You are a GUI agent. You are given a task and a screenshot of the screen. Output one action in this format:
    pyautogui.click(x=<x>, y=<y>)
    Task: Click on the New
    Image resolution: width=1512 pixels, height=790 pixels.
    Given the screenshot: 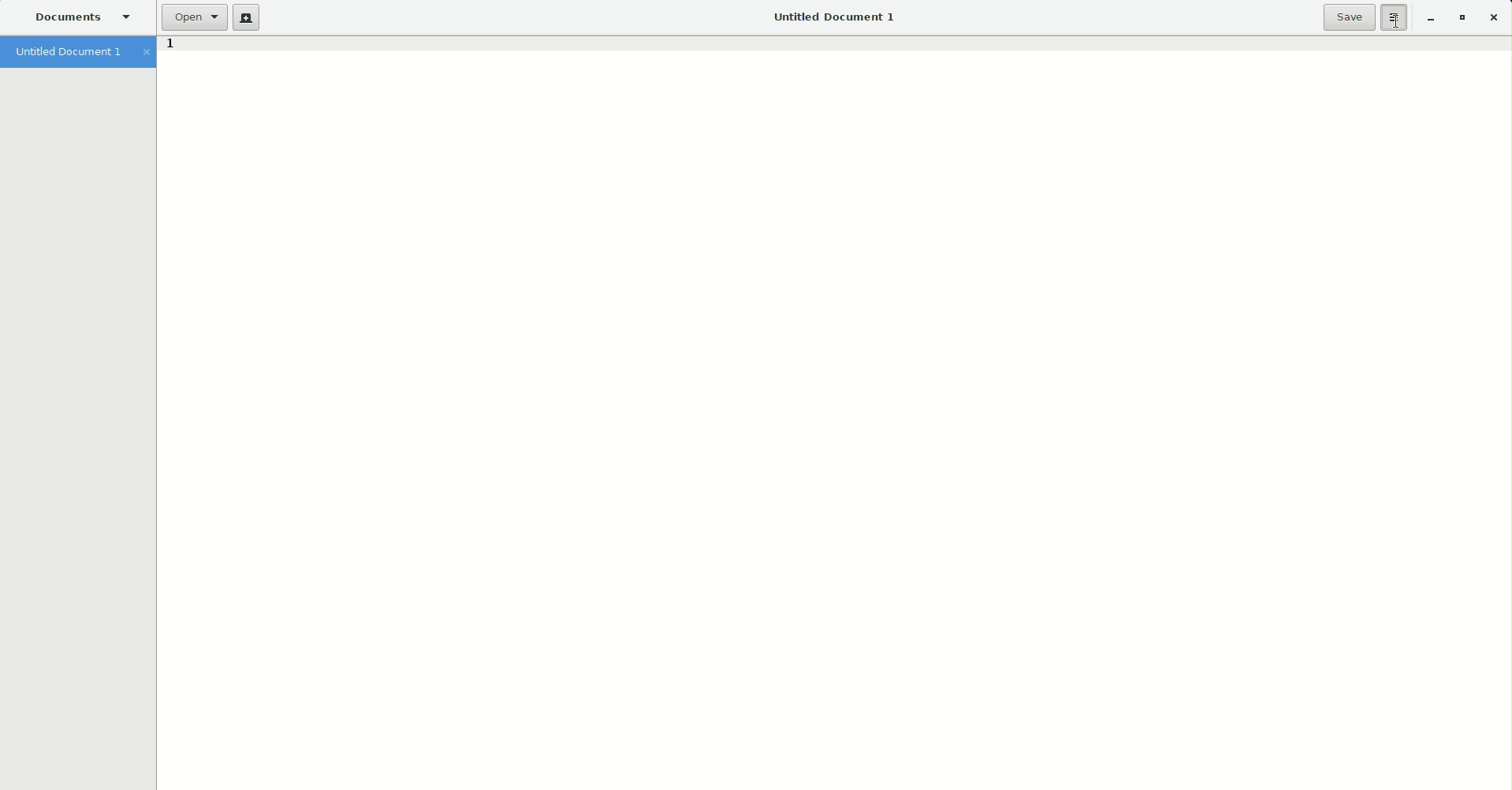 What is the action you would take?
    pyautogui.click(x=246, y=18)
    